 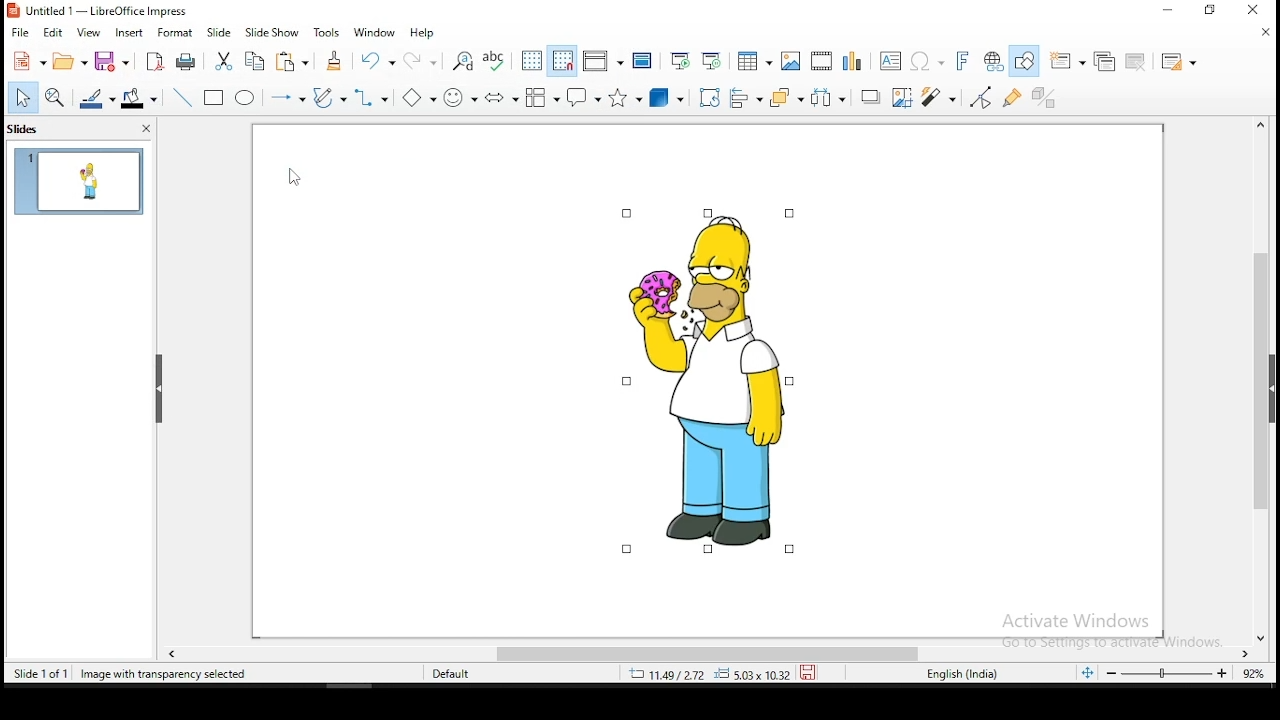 I want to click on edit, so click(x=55, y=34).